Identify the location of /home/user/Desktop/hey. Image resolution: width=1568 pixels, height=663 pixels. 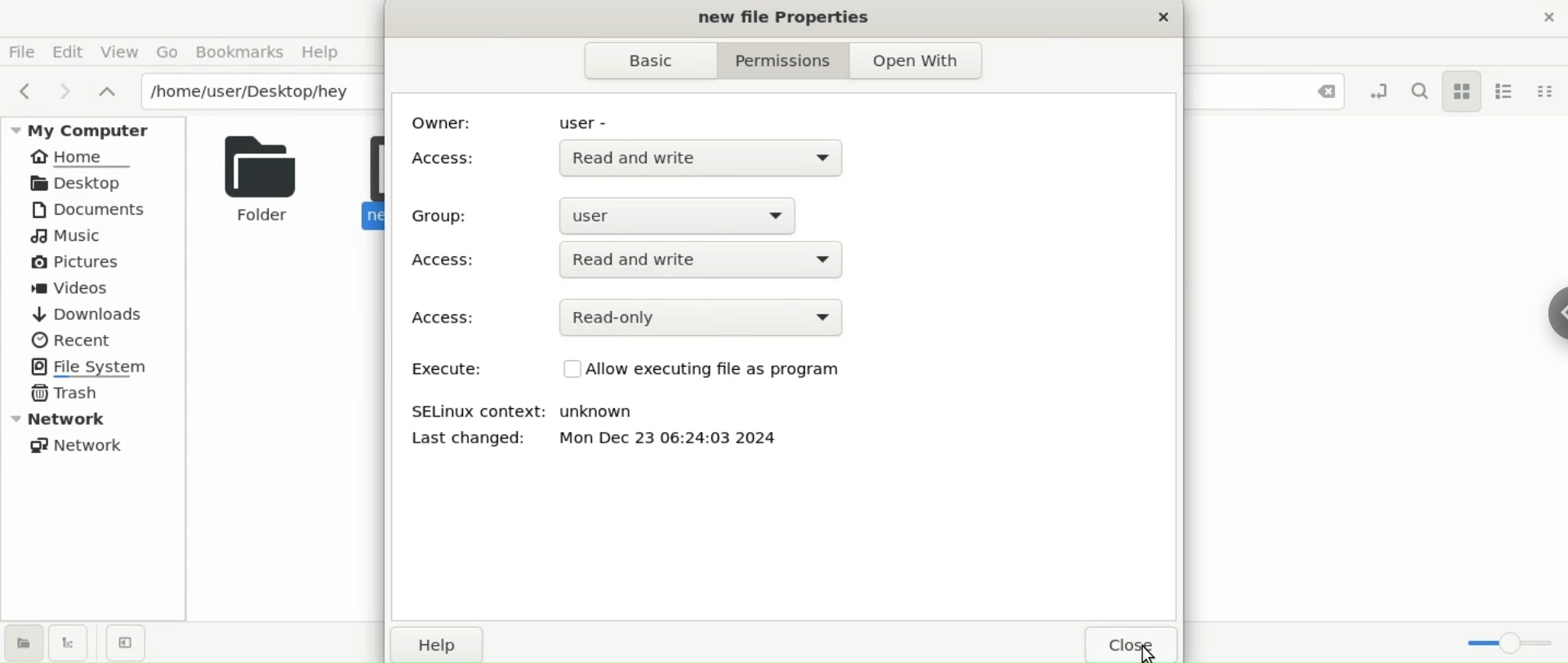
(255, 91).